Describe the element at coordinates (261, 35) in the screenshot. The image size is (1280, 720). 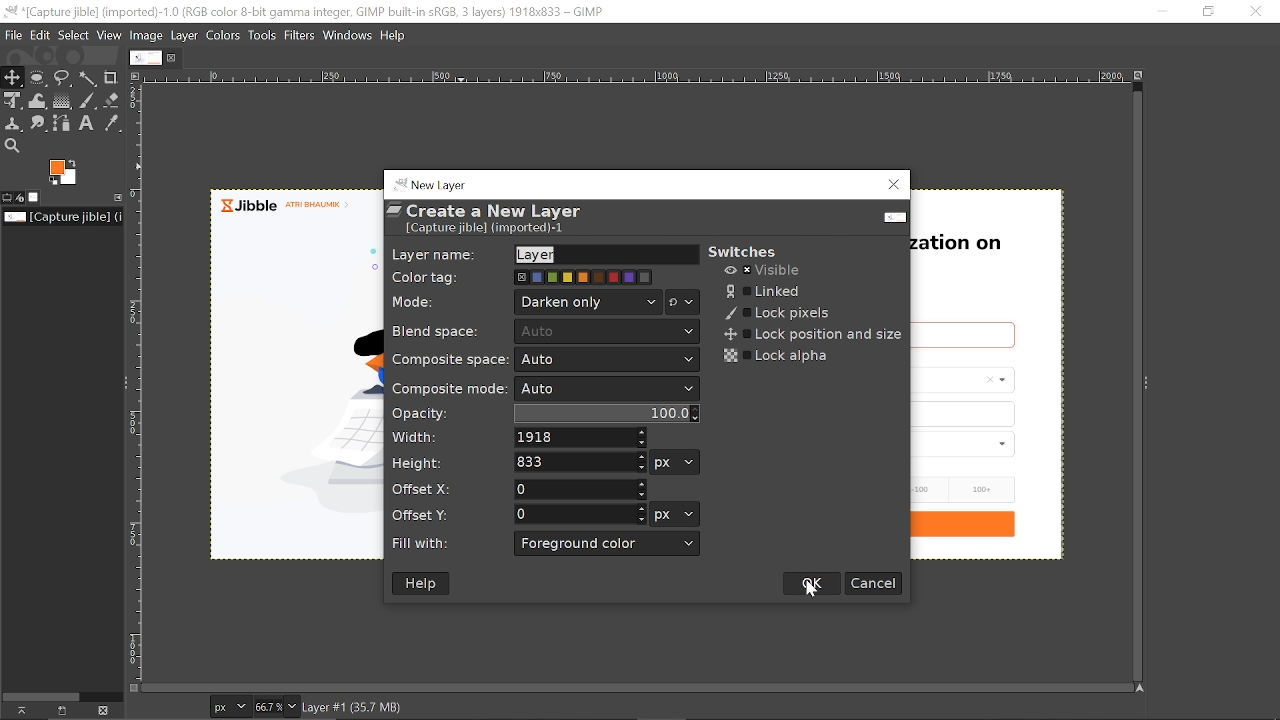
I see `Tools` at that location.